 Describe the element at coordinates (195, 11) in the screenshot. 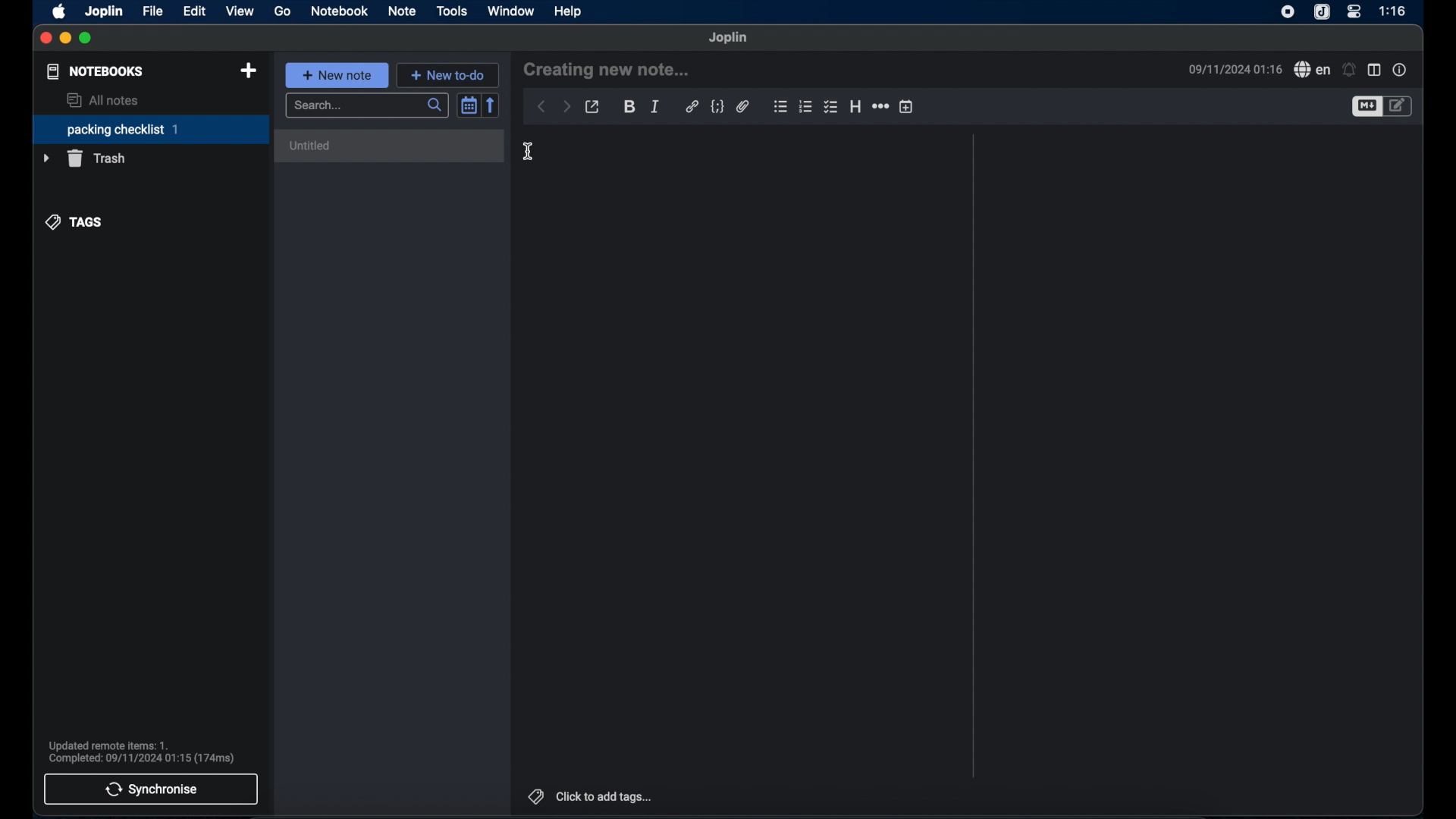

I see `edit` at that location.